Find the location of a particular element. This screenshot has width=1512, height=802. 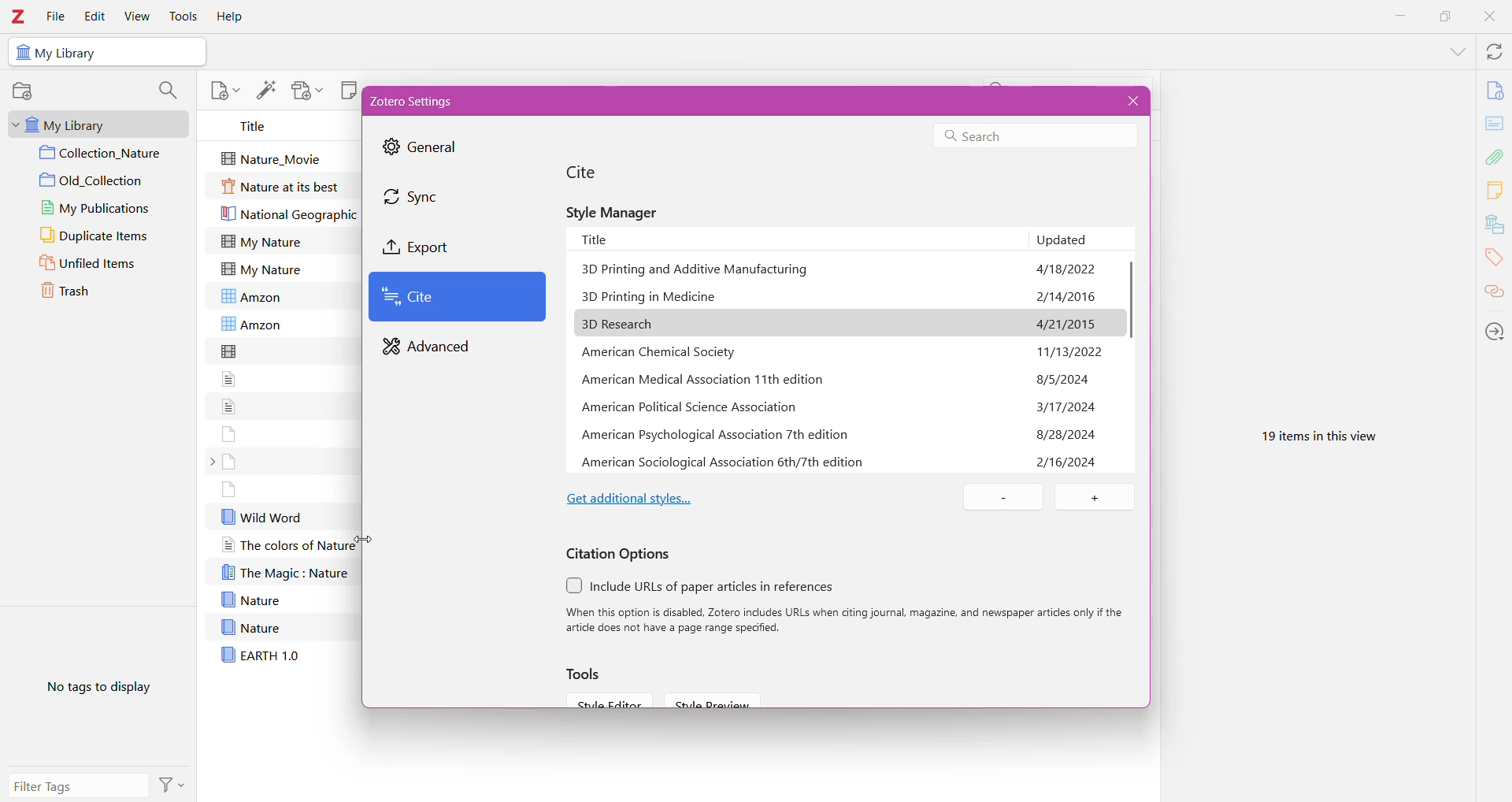

3D Printing and Additive Manufacturing is located at coordinates (697, 272).